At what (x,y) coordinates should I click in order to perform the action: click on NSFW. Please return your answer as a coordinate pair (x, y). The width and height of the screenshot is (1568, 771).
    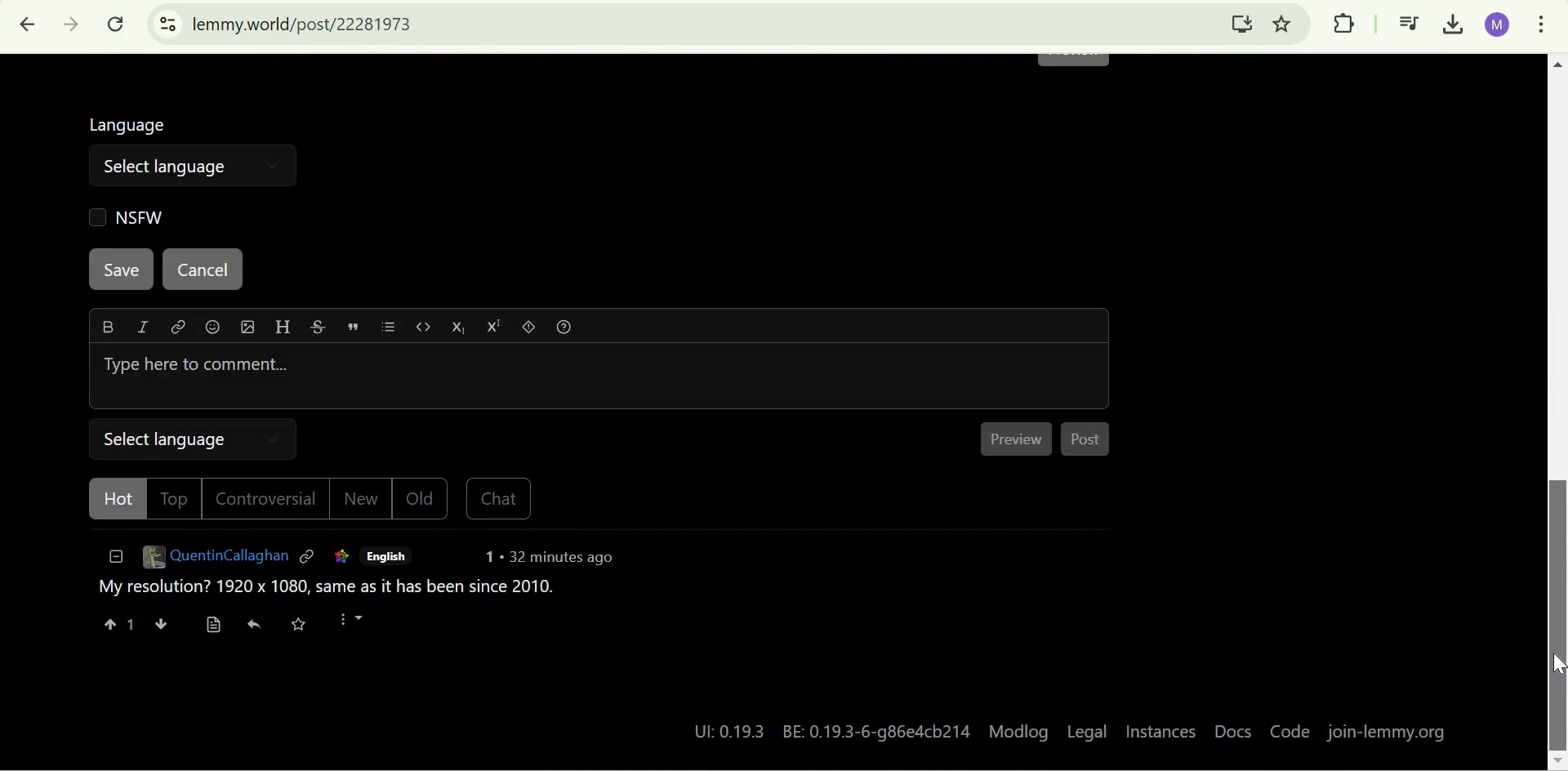
    Looking at the image, I should click on (123, 216).